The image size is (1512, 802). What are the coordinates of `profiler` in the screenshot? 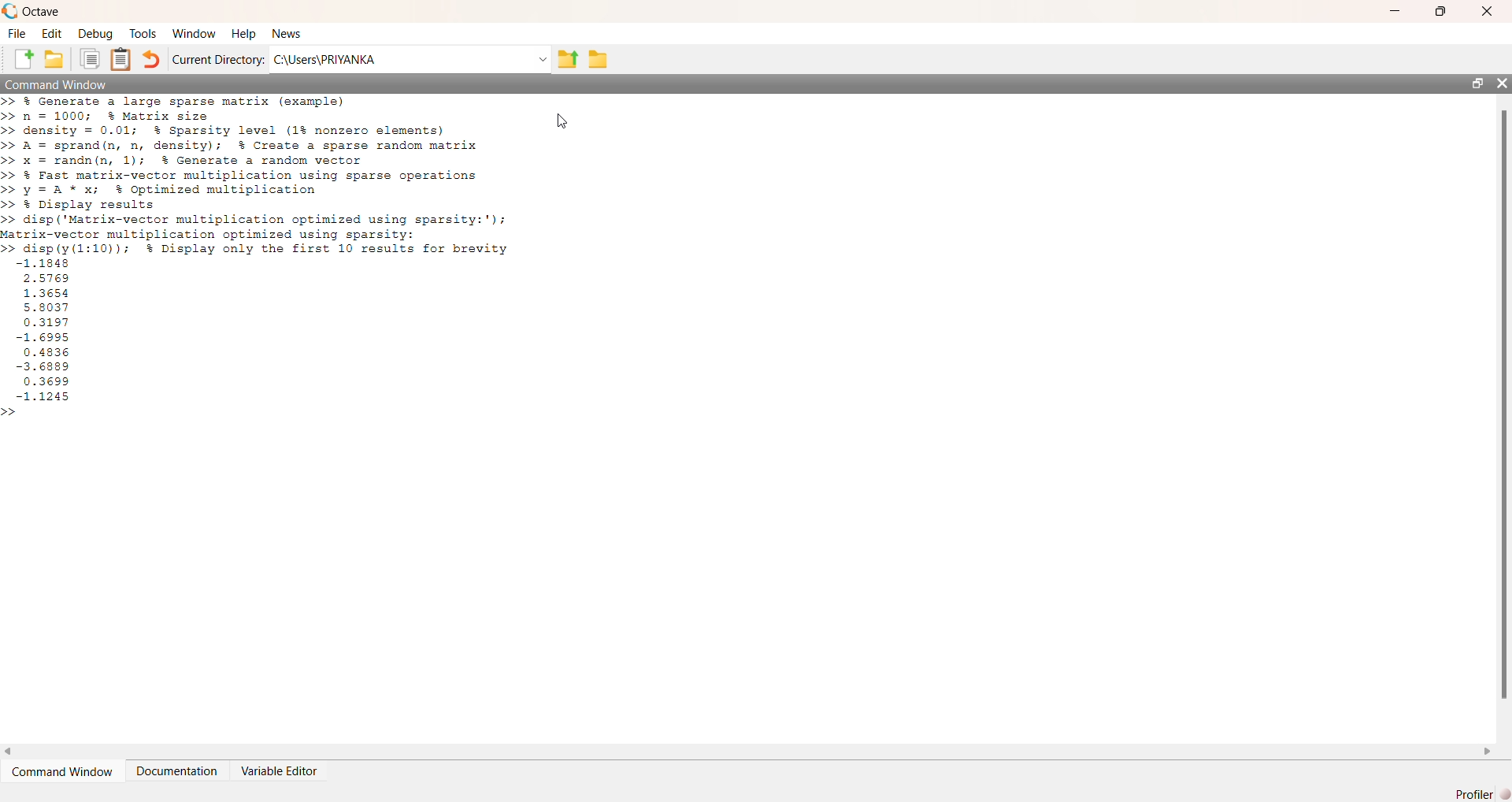 It's located at (1477, 795).